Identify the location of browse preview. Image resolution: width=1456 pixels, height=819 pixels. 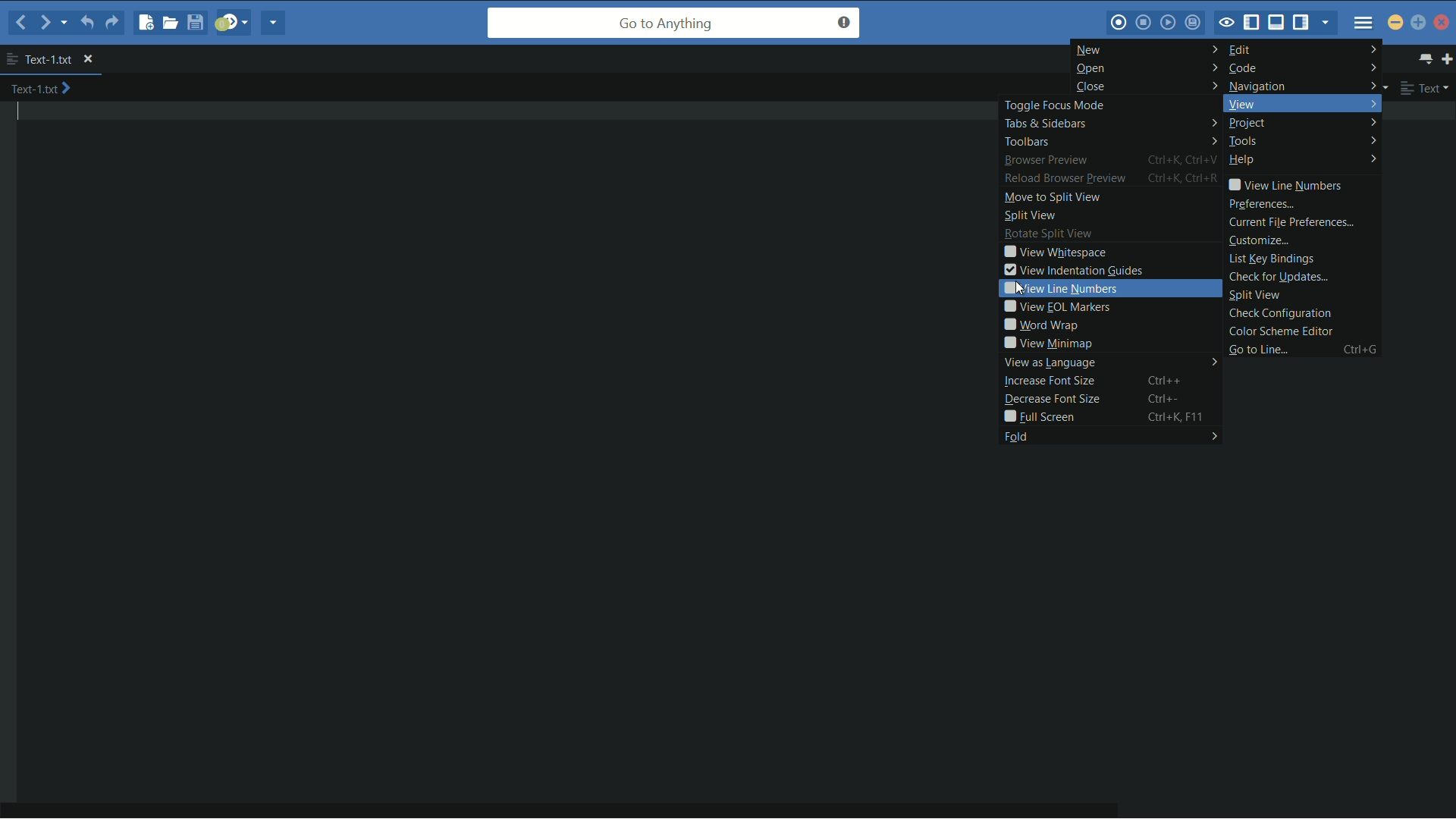
(1045, 161).